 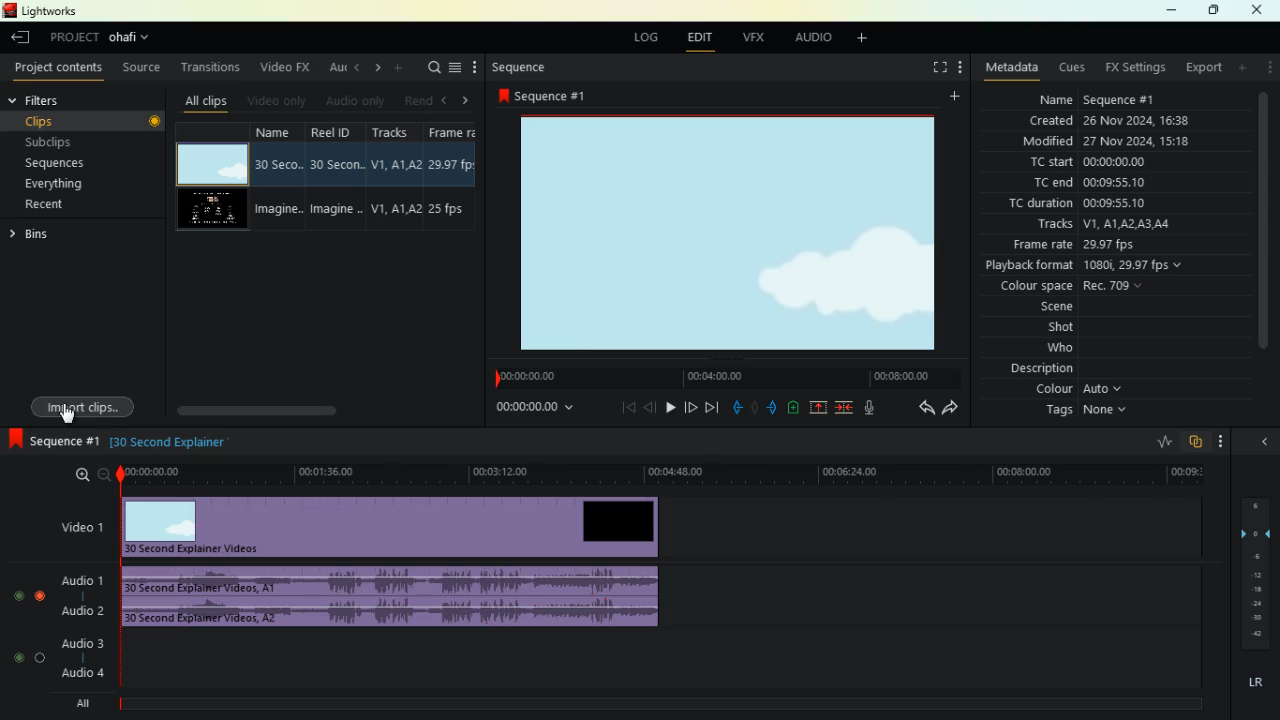 I want to click on import clips, so click(x=79, y=401).